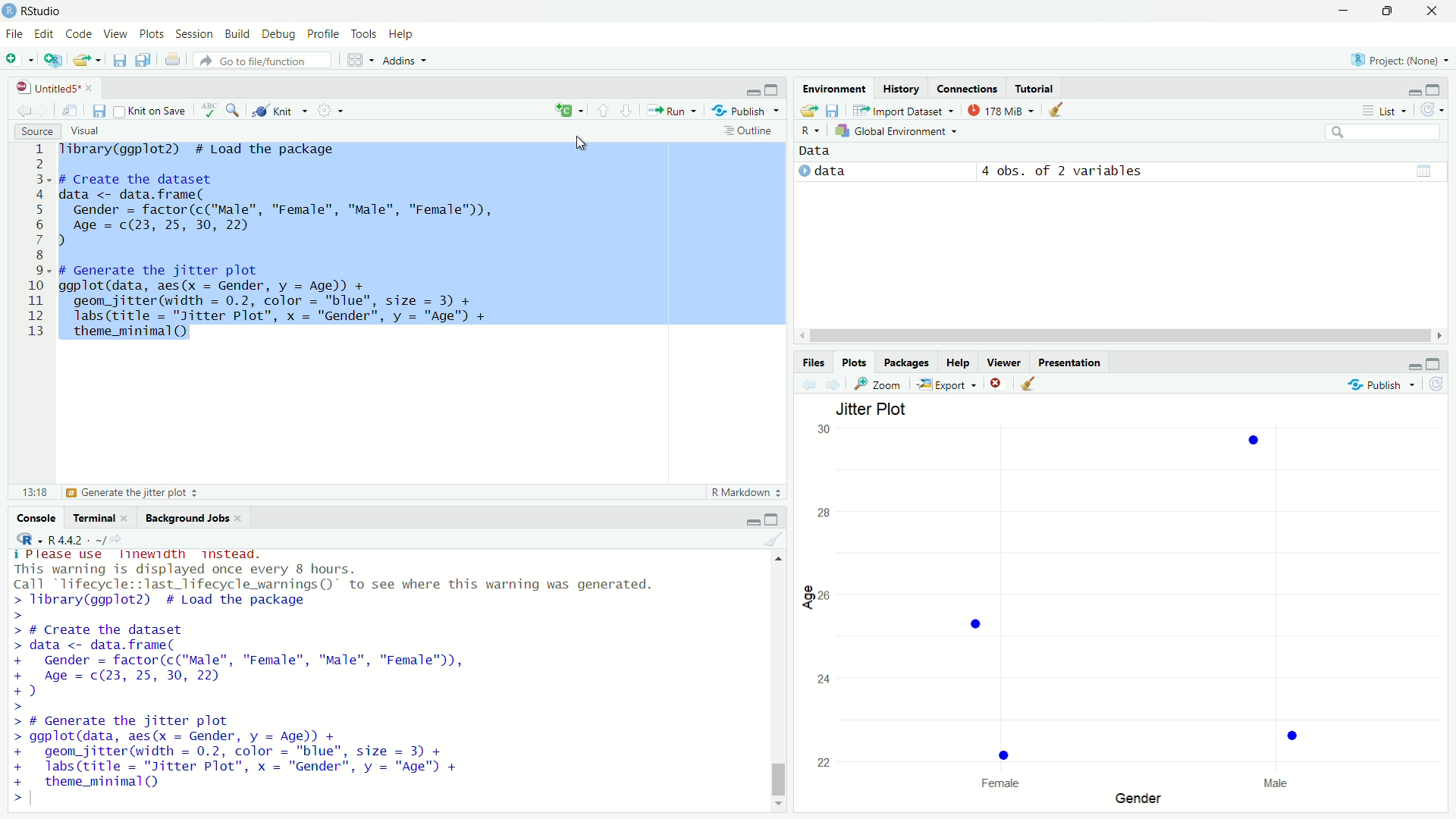 This screenshot has height=819, width=1456. Describe the element at coordinates (673, 109) in the screenshot. I see `run the current line or selection` at that location.